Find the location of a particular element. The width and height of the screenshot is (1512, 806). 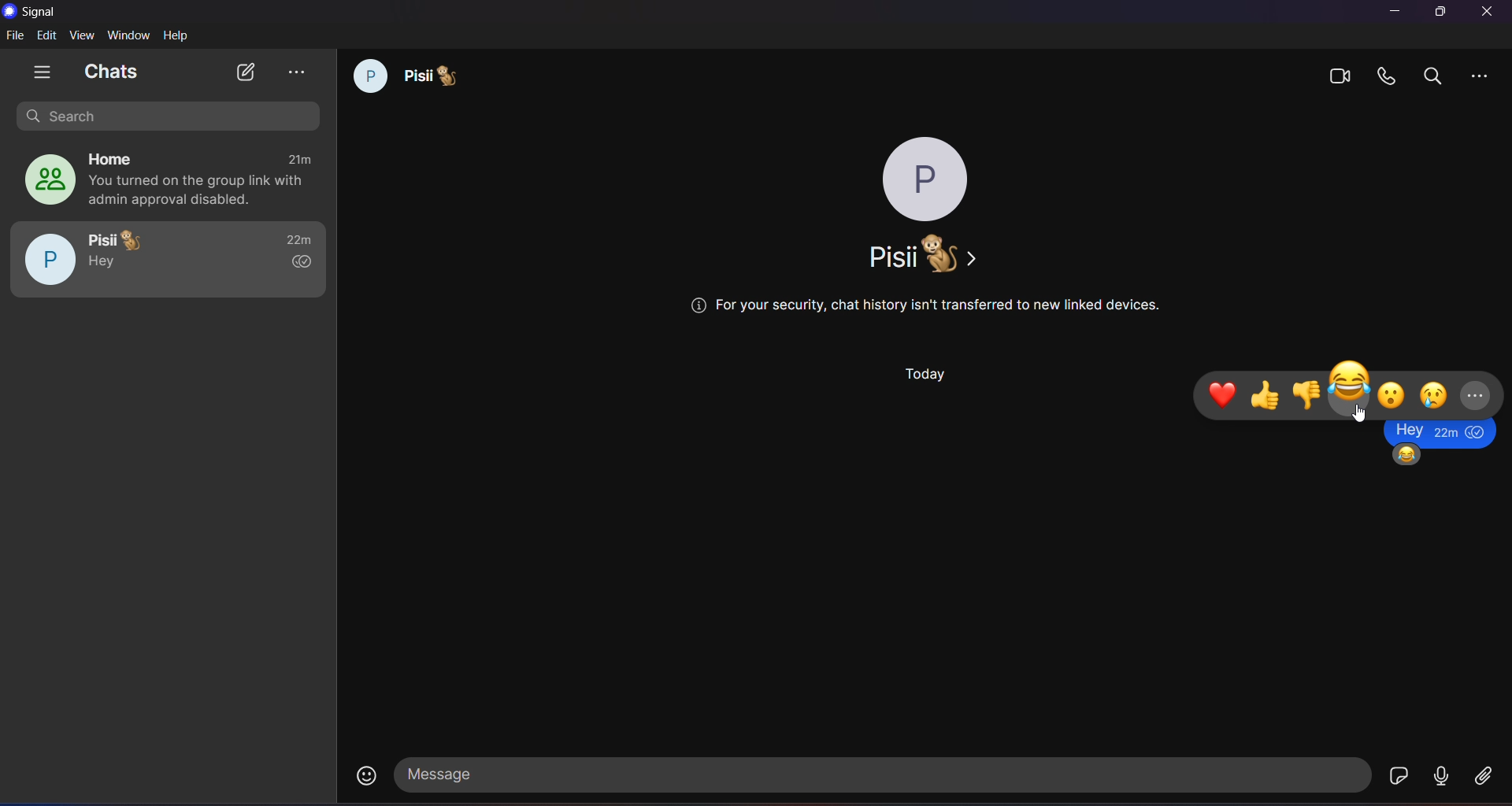

maximize is located at coordinates (1439, 12).